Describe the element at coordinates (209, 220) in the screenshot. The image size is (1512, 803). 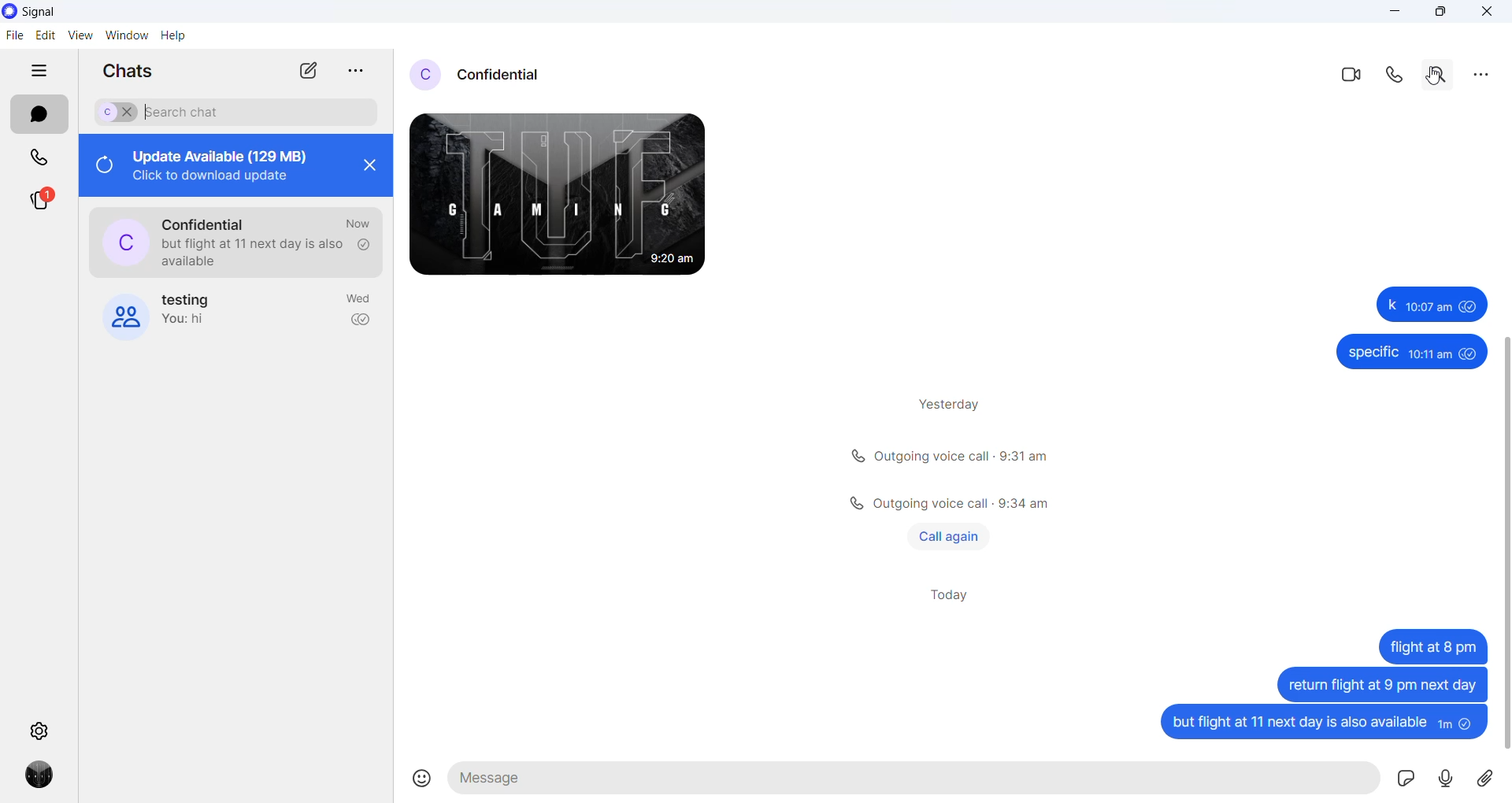
I see `contact name` at that location.